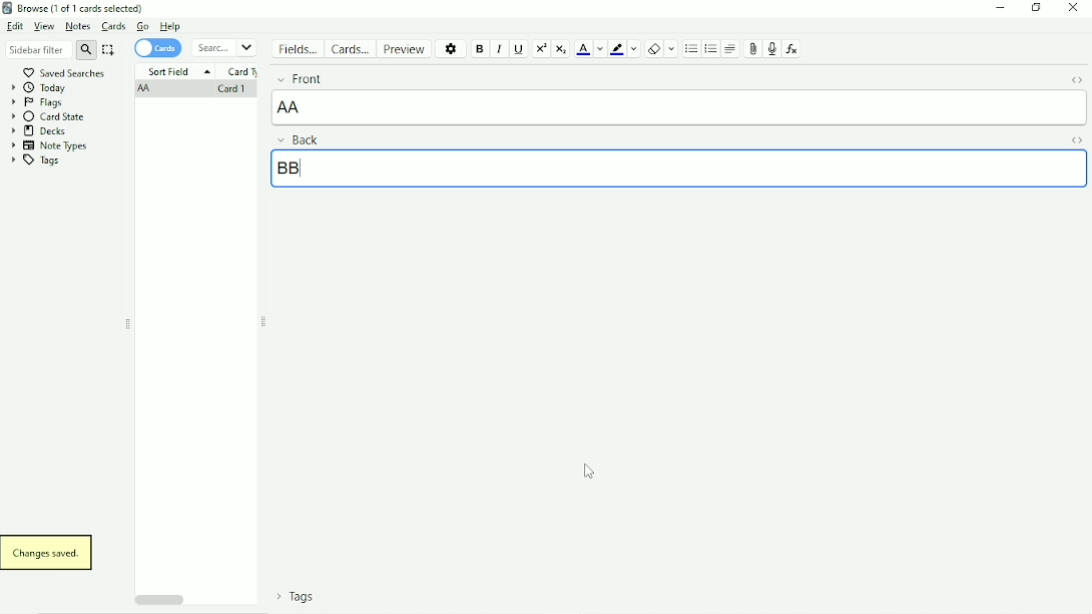 This screenshot has width=1092, height=614. I want to click on Close, so click(1073, 8).